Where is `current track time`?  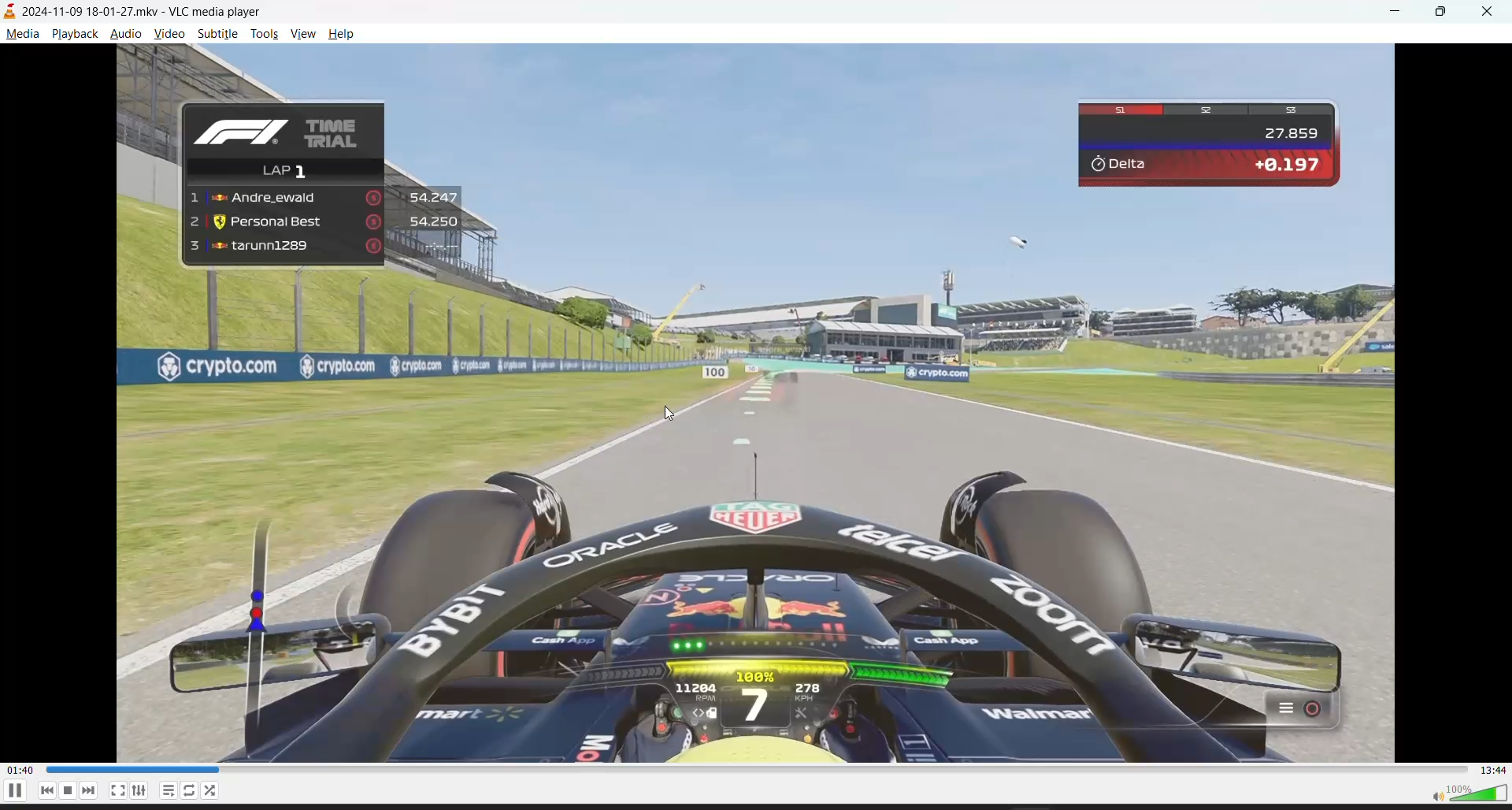
current track time is located at coordinates (20, 770).